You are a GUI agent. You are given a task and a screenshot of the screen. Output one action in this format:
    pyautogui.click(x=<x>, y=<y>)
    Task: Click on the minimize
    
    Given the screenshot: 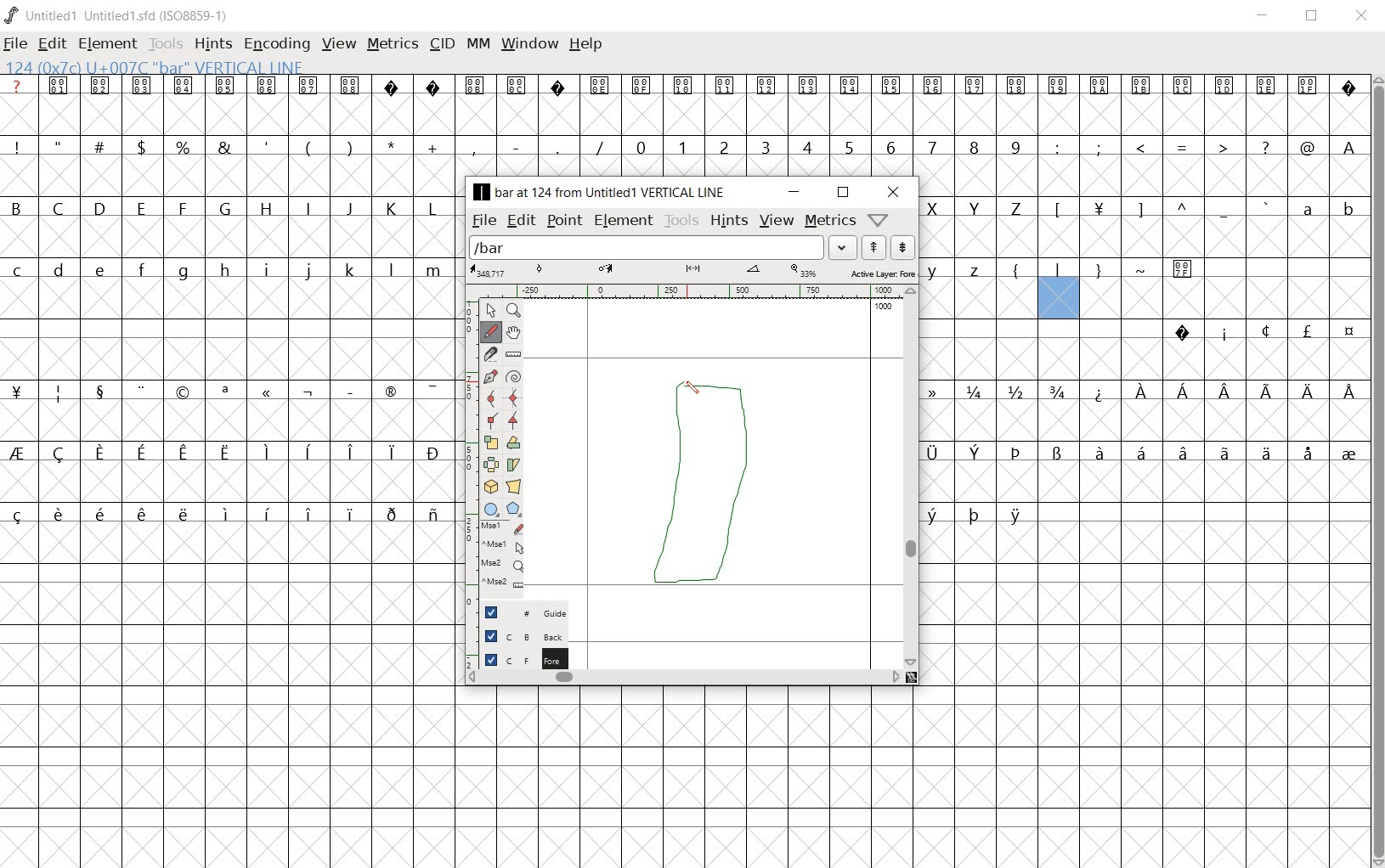 What is the action you would take?
    pyautogui.click(x=1263, y=16)
    